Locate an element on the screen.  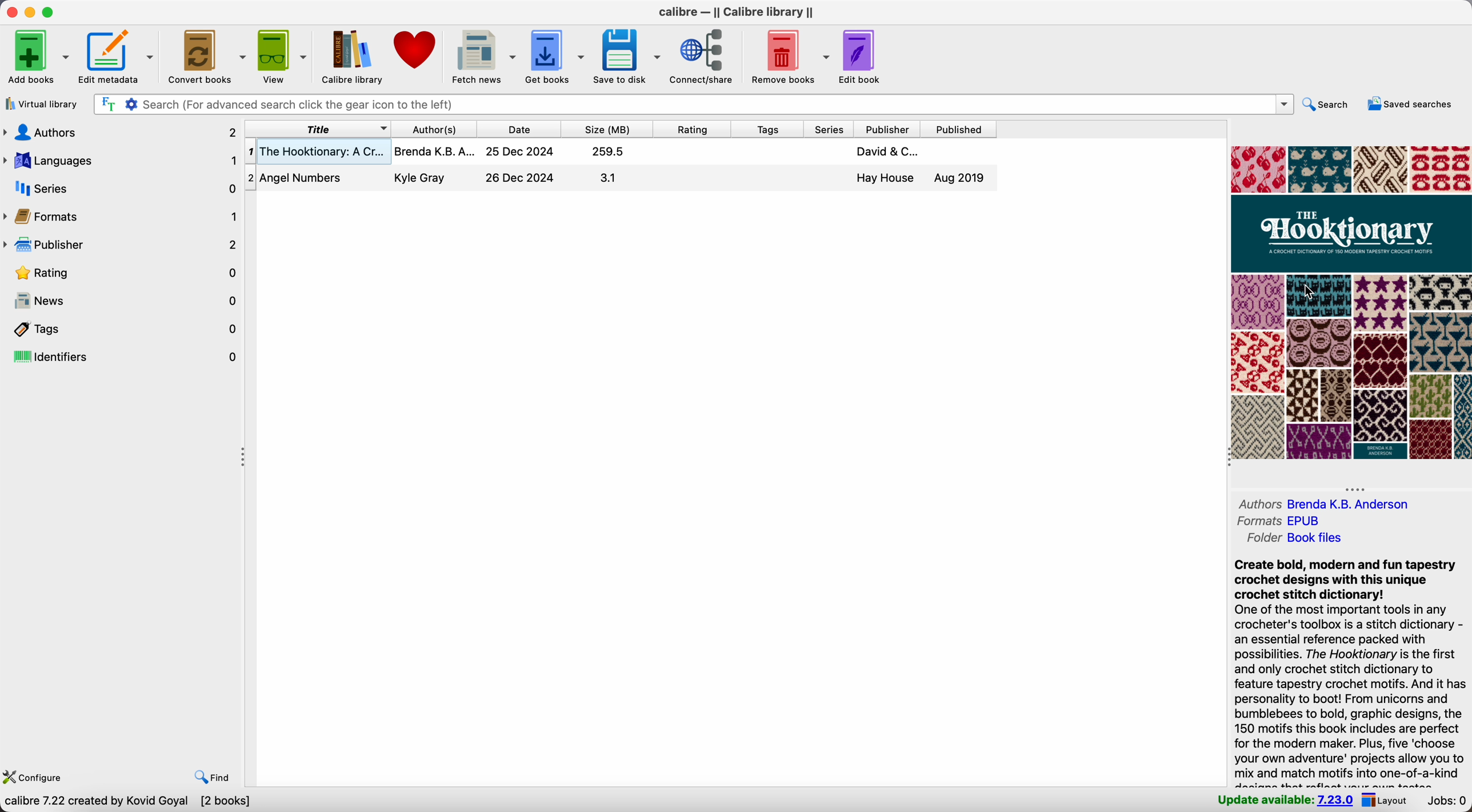
data is located at coordinates (127, 802).